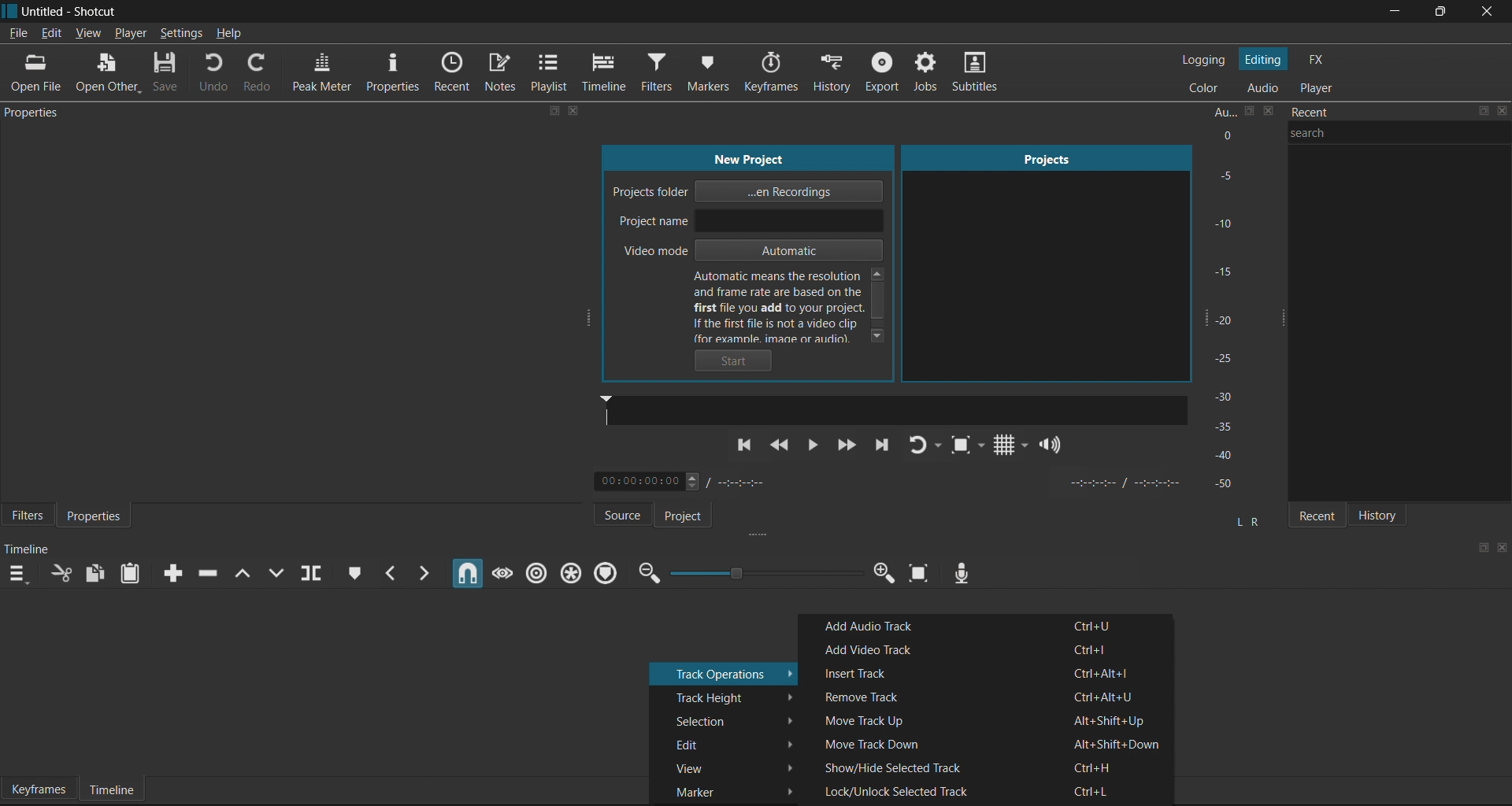  What do you see at coordinates (38, 788) in the screenshot?
I see `Keyframes` at bounding box center [38, 788].